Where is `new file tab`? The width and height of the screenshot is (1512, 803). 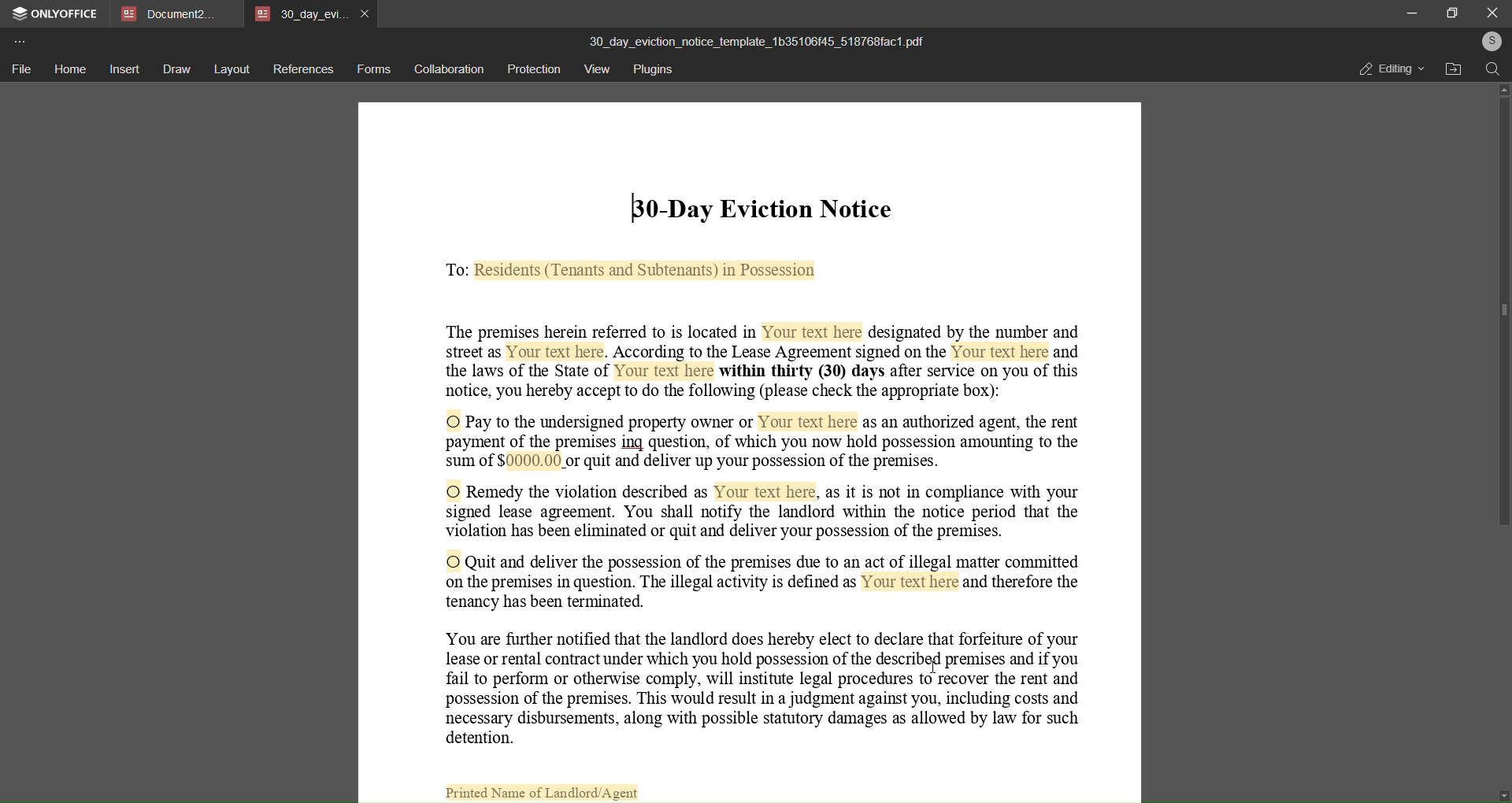 new file tab is located at coordinates (751, 451).